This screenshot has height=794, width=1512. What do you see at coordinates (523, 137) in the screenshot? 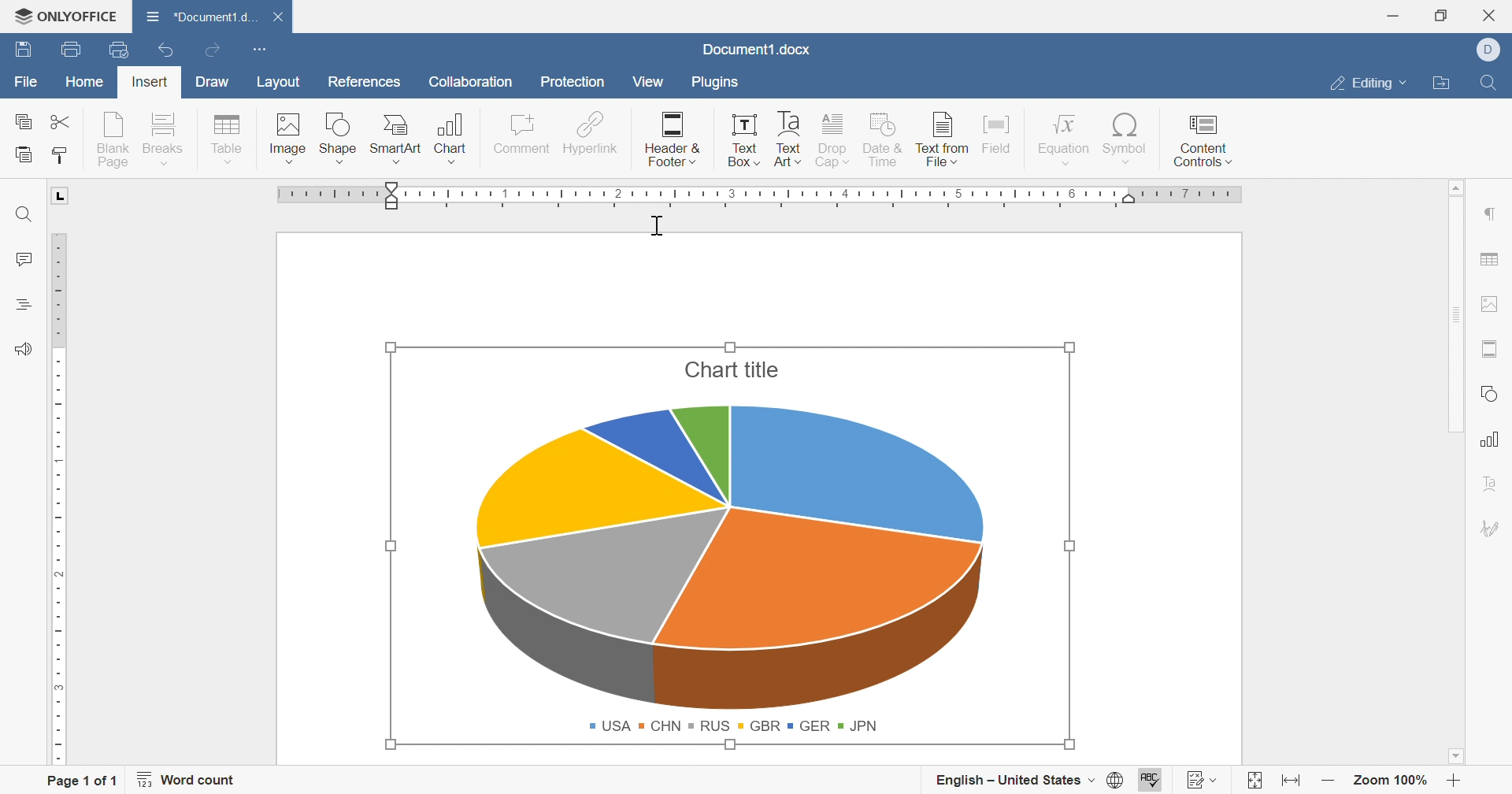
I see `` at bounding box center [523, 137].